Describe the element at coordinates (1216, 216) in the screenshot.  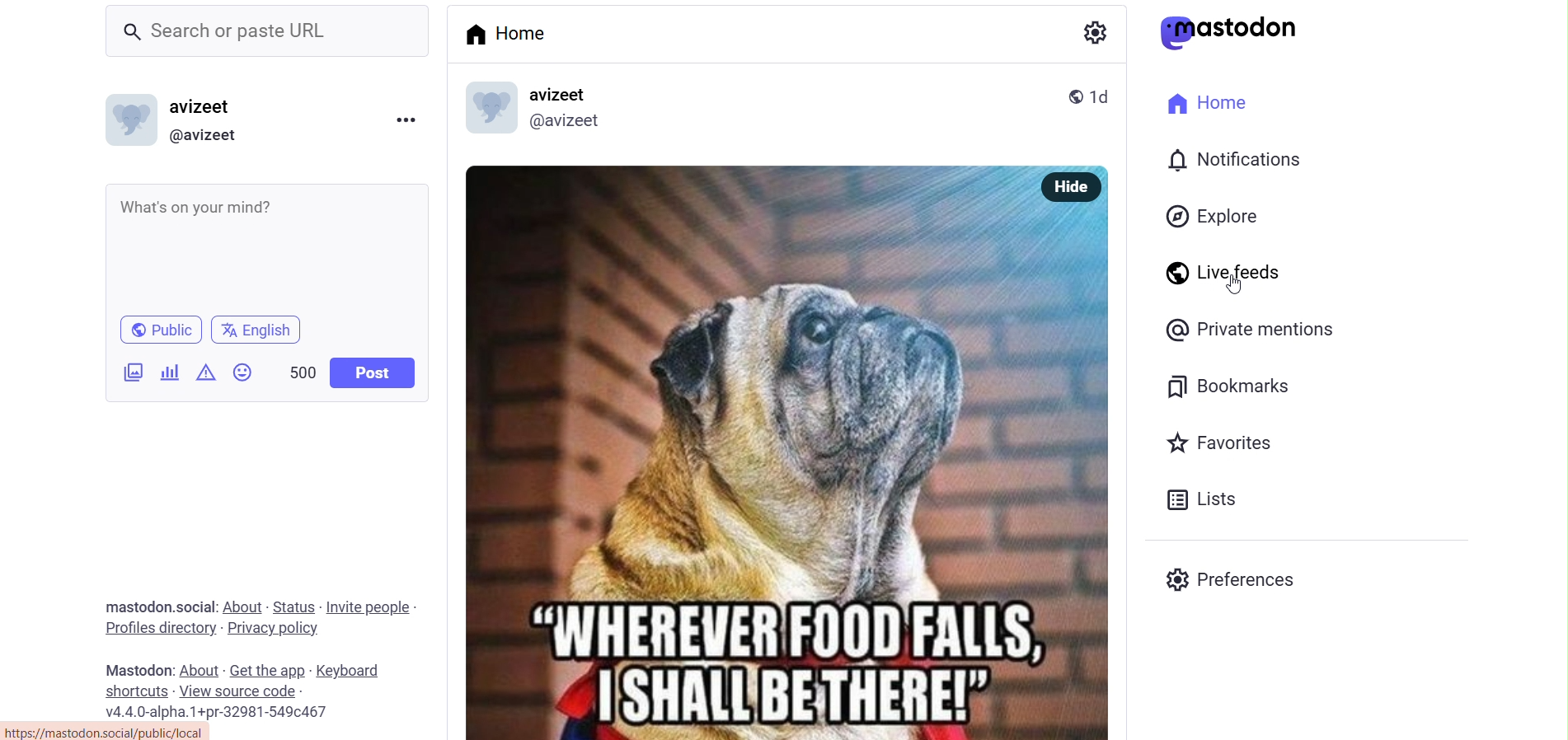
I see `explore` at that location.